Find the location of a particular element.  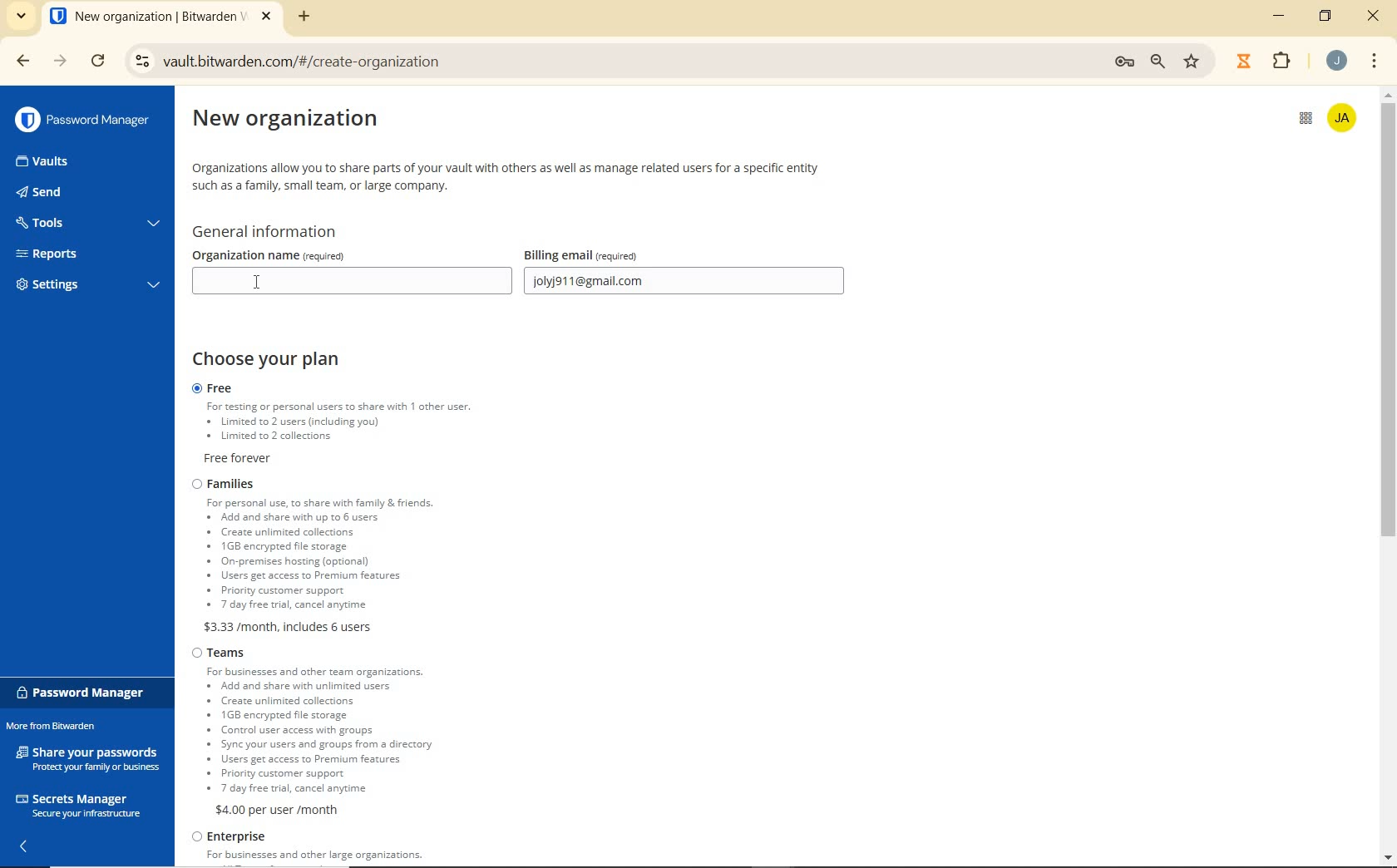

new organization is located at coordinates (301, 123).